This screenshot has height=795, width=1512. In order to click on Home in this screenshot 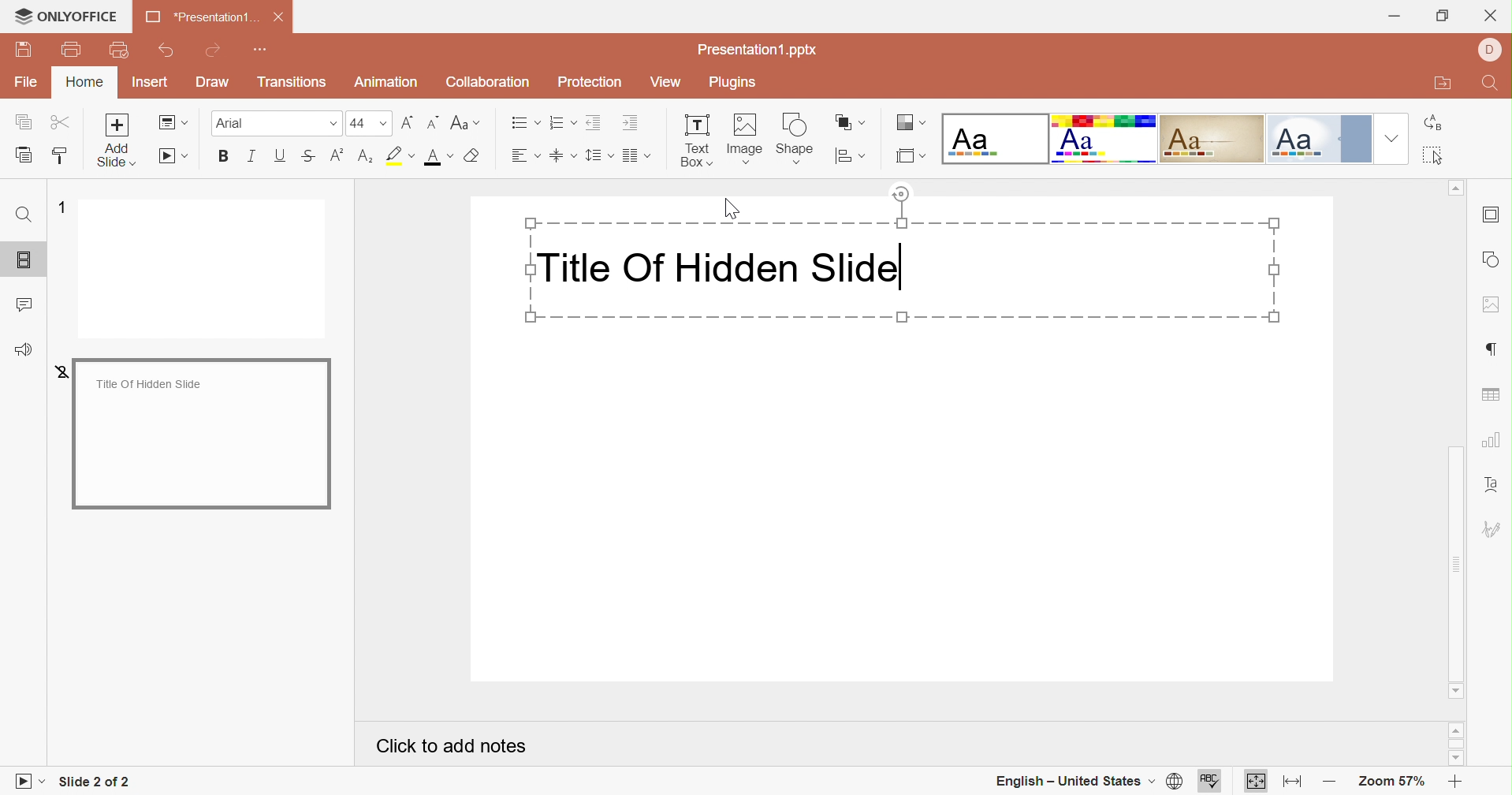, I will do `click(85, 82)`.